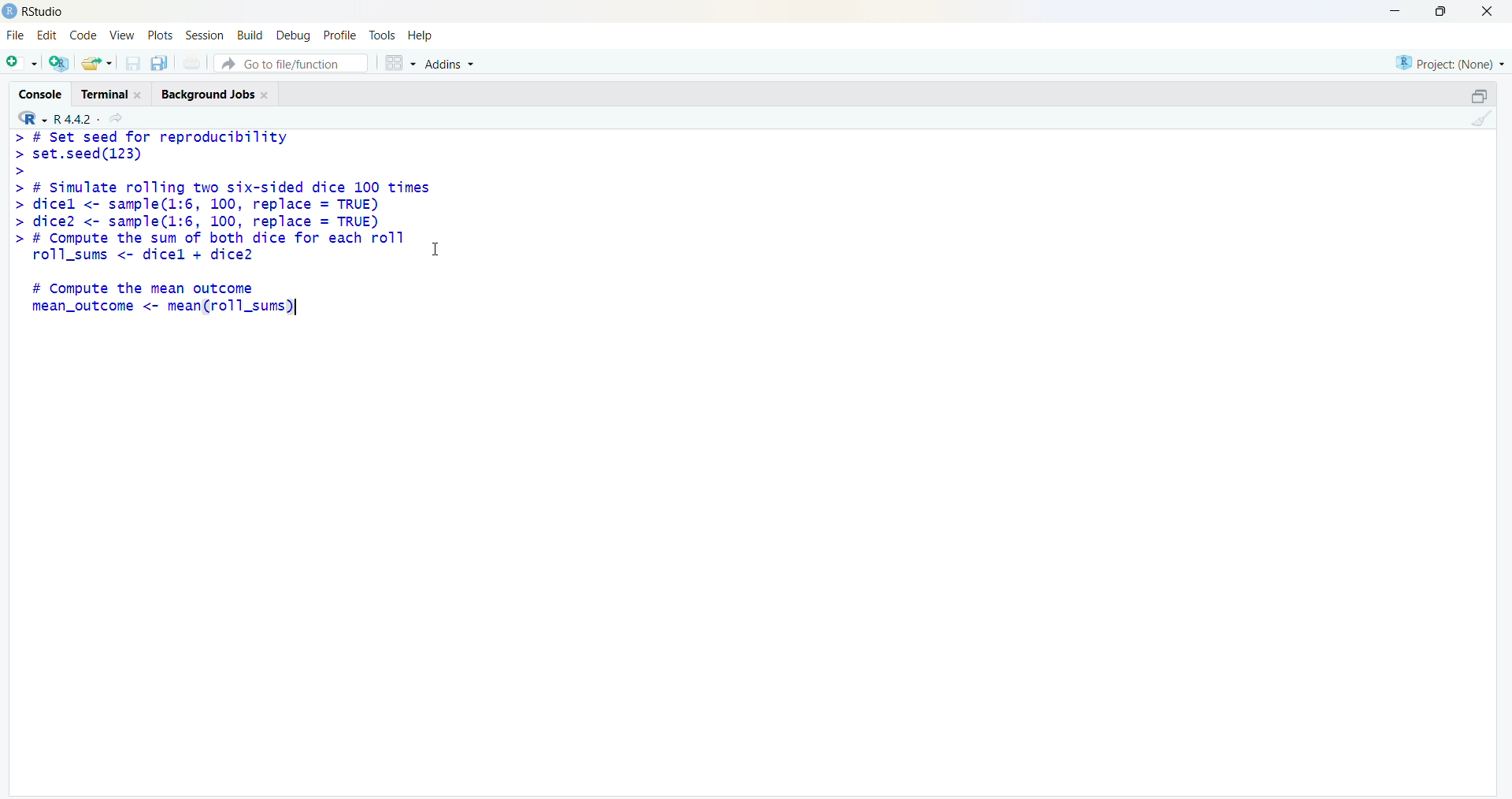  I want to click on code, so click(83, 35).